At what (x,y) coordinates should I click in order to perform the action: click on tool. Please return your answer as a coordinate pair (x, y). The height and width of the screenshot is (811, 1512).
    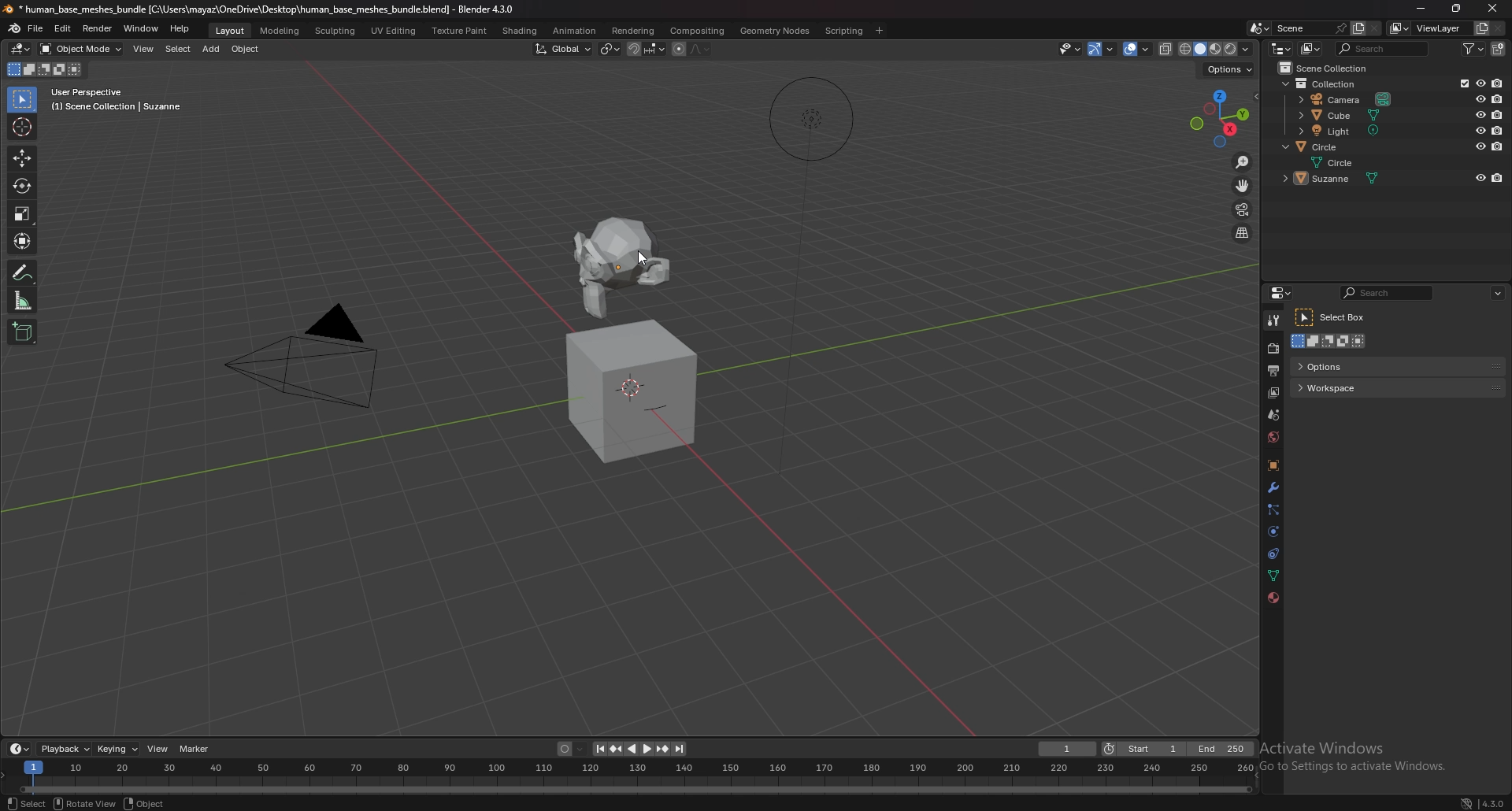
    Looking at the image, I should click on (1273, 321).